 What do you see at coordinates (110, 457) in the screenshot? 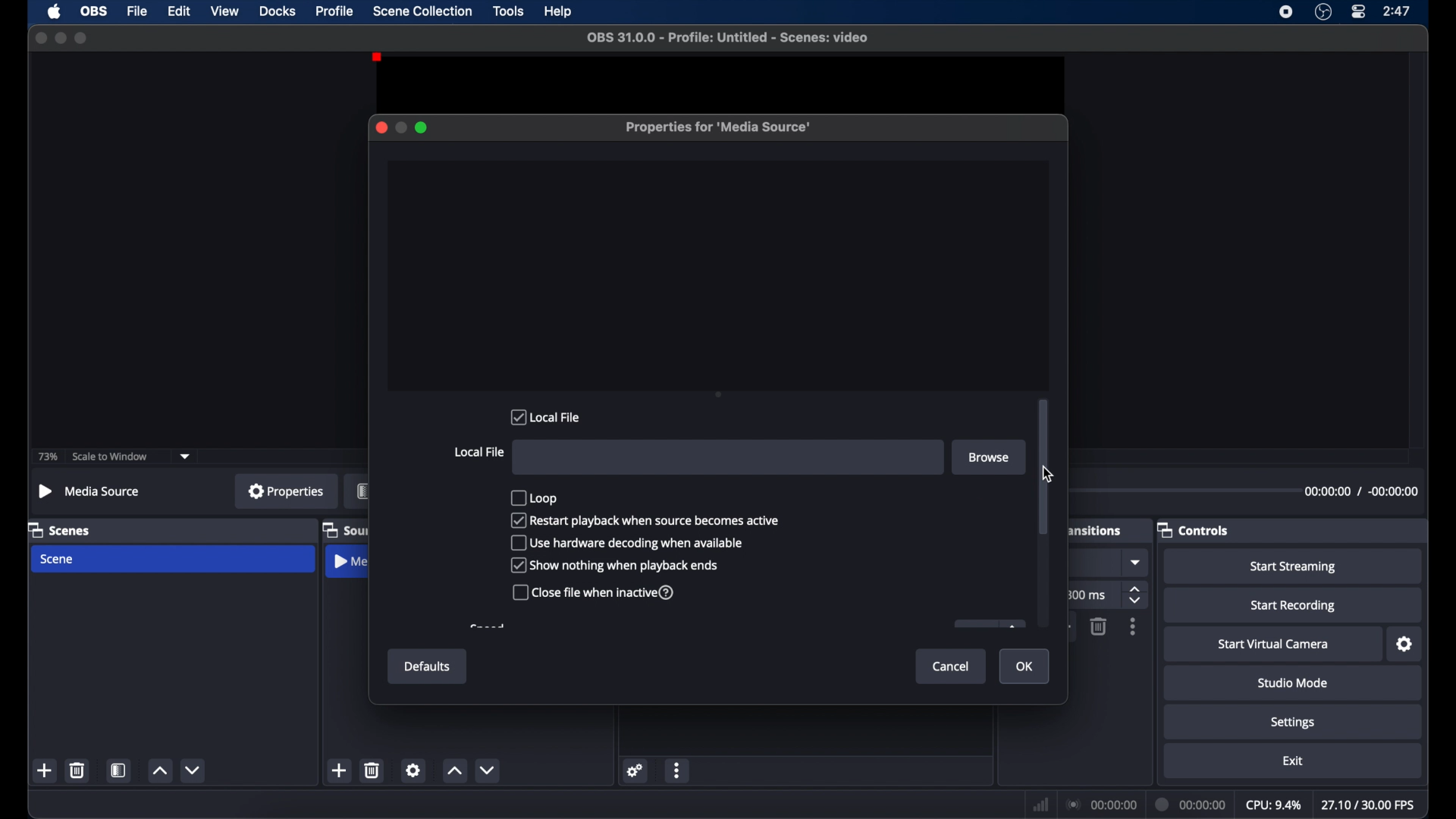
I see `scale to window` at bounding box center [110, 457].